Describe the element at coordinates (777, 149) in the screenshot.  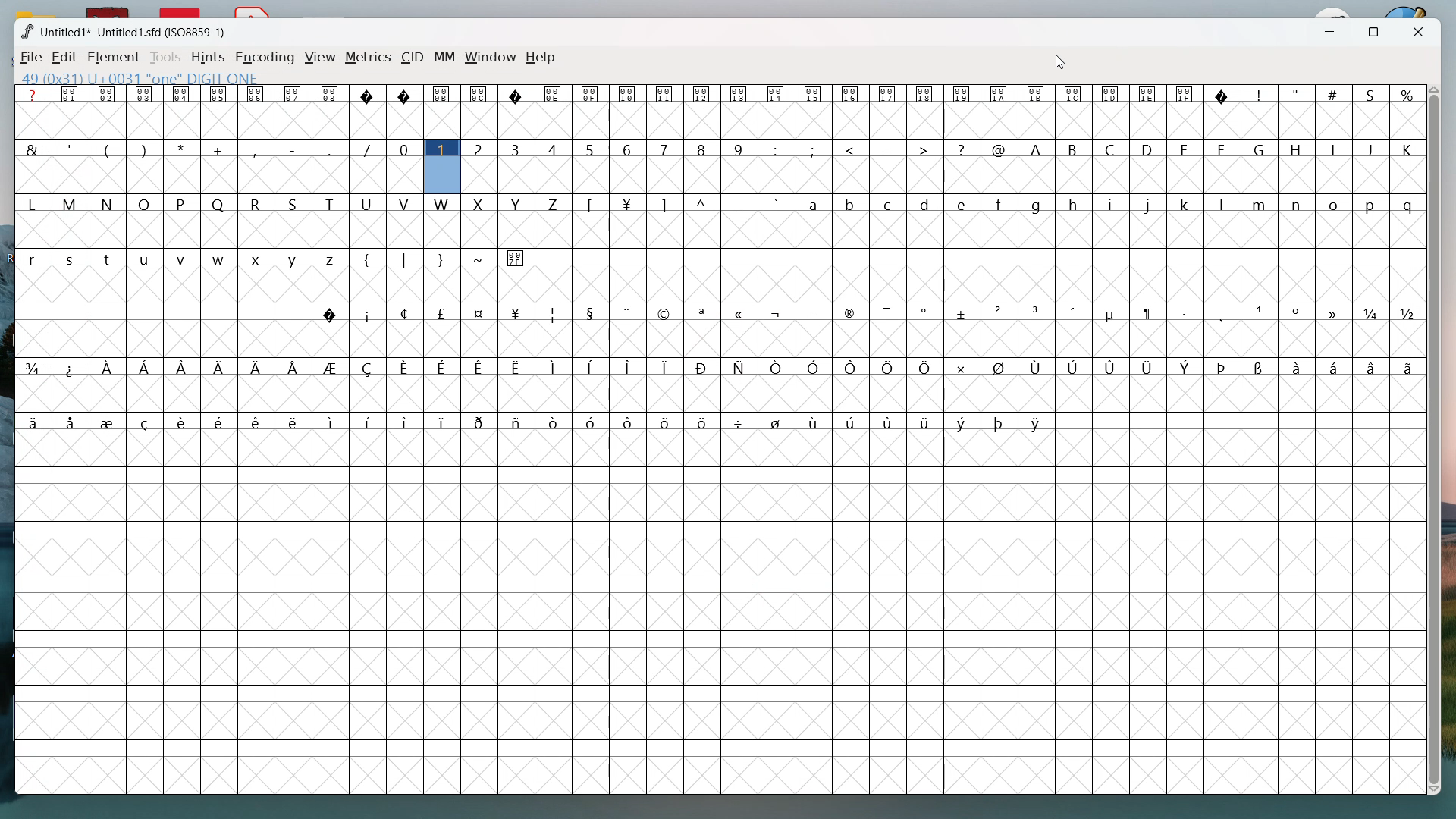
I see `:` at that location.